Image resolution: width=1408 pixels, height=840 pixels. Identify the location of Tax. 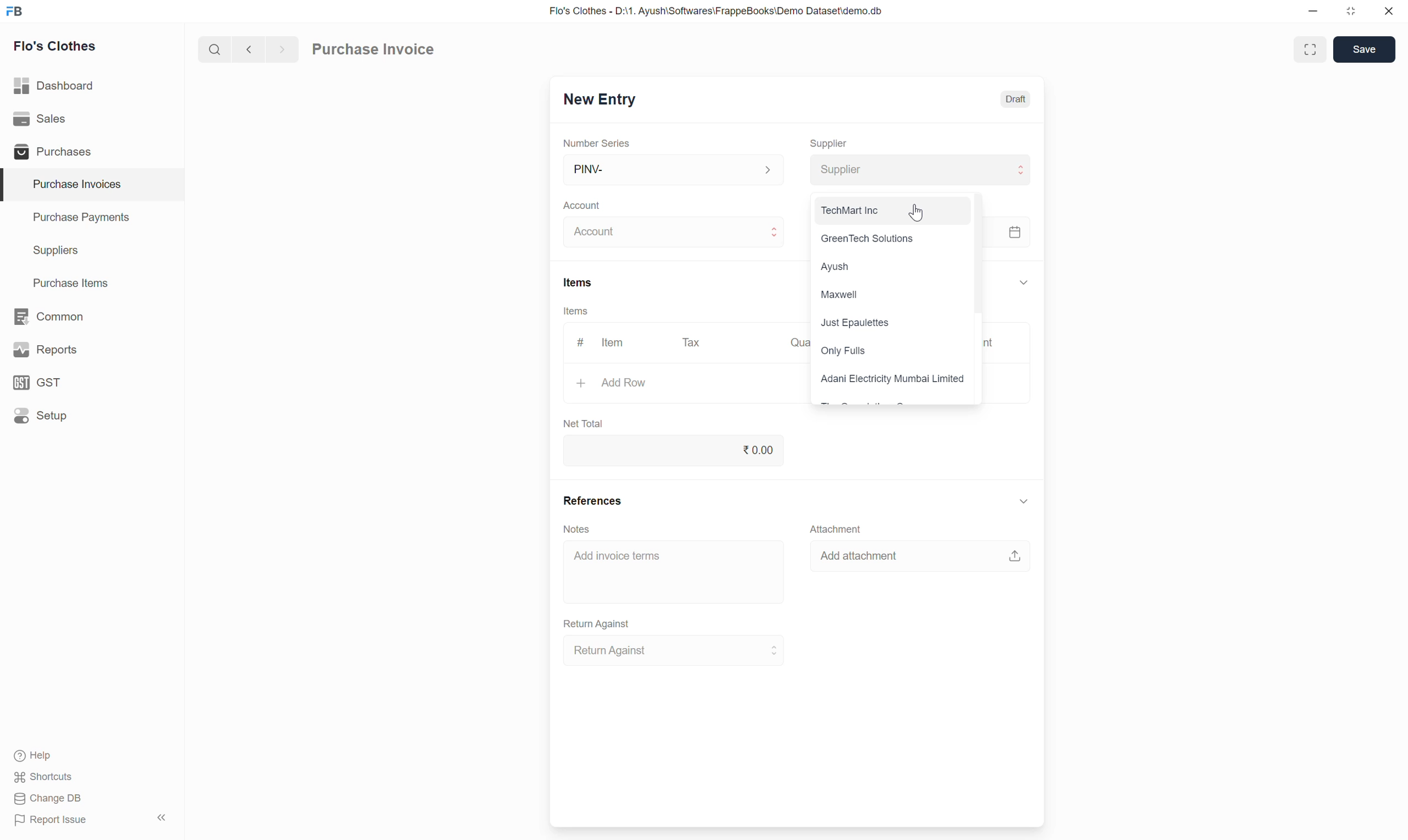
(695, 342).